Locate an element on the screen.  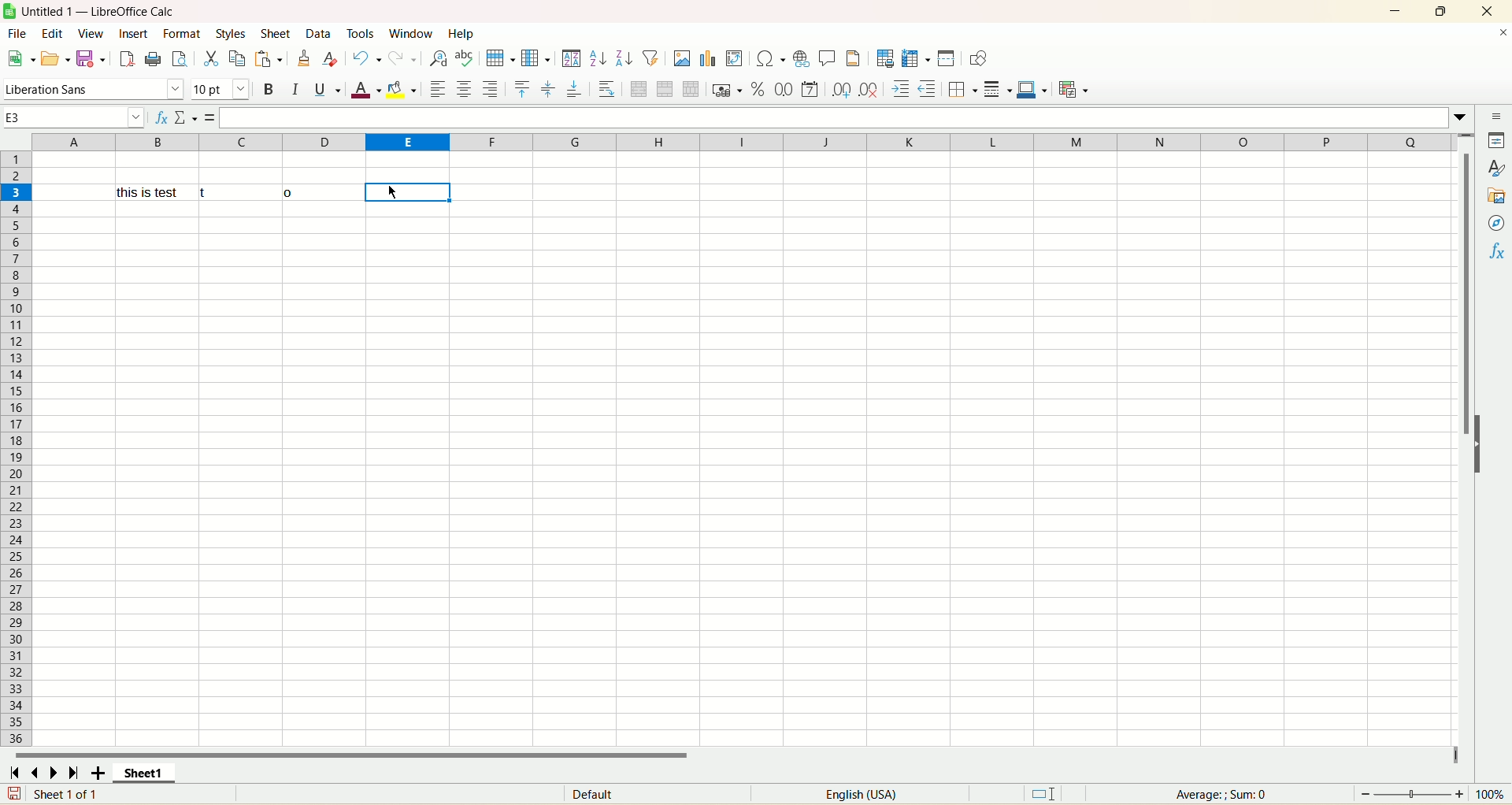
format as number is located at coordinates (785, 90).